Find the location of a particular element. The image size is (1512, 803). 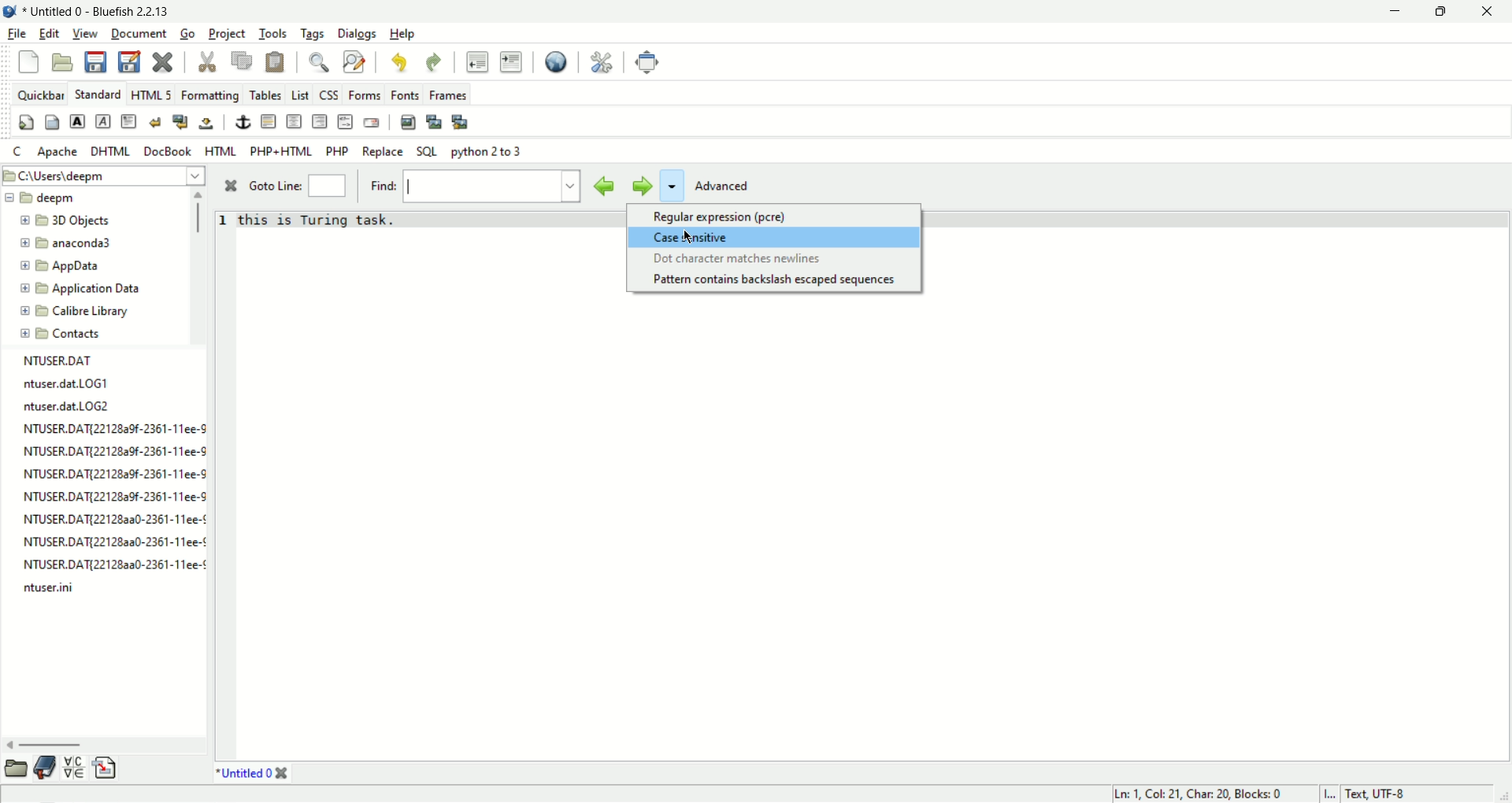

PHP is located at coordinates (339, 151).